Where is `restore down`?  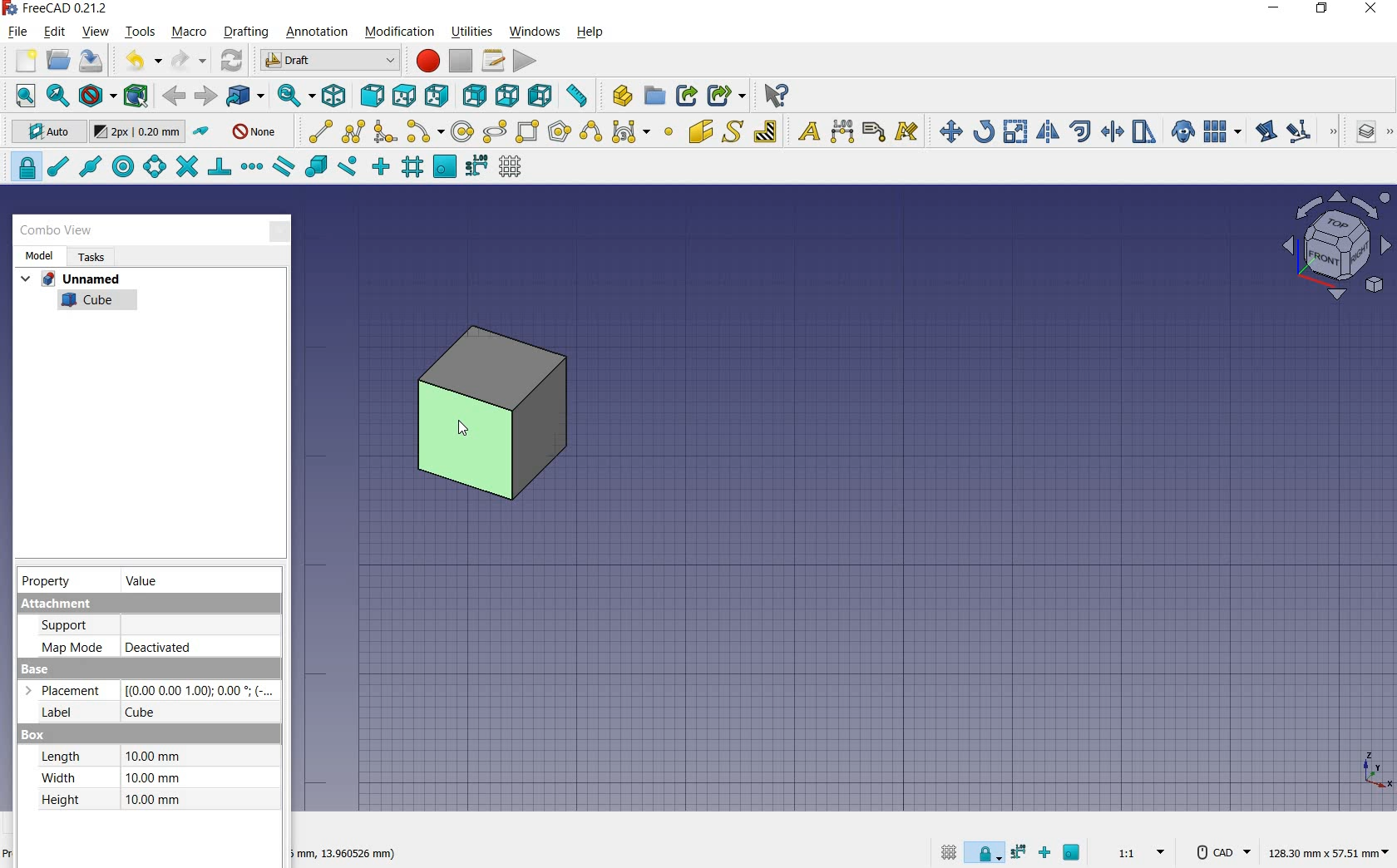 restore down is located at coordinates (1324, 10).